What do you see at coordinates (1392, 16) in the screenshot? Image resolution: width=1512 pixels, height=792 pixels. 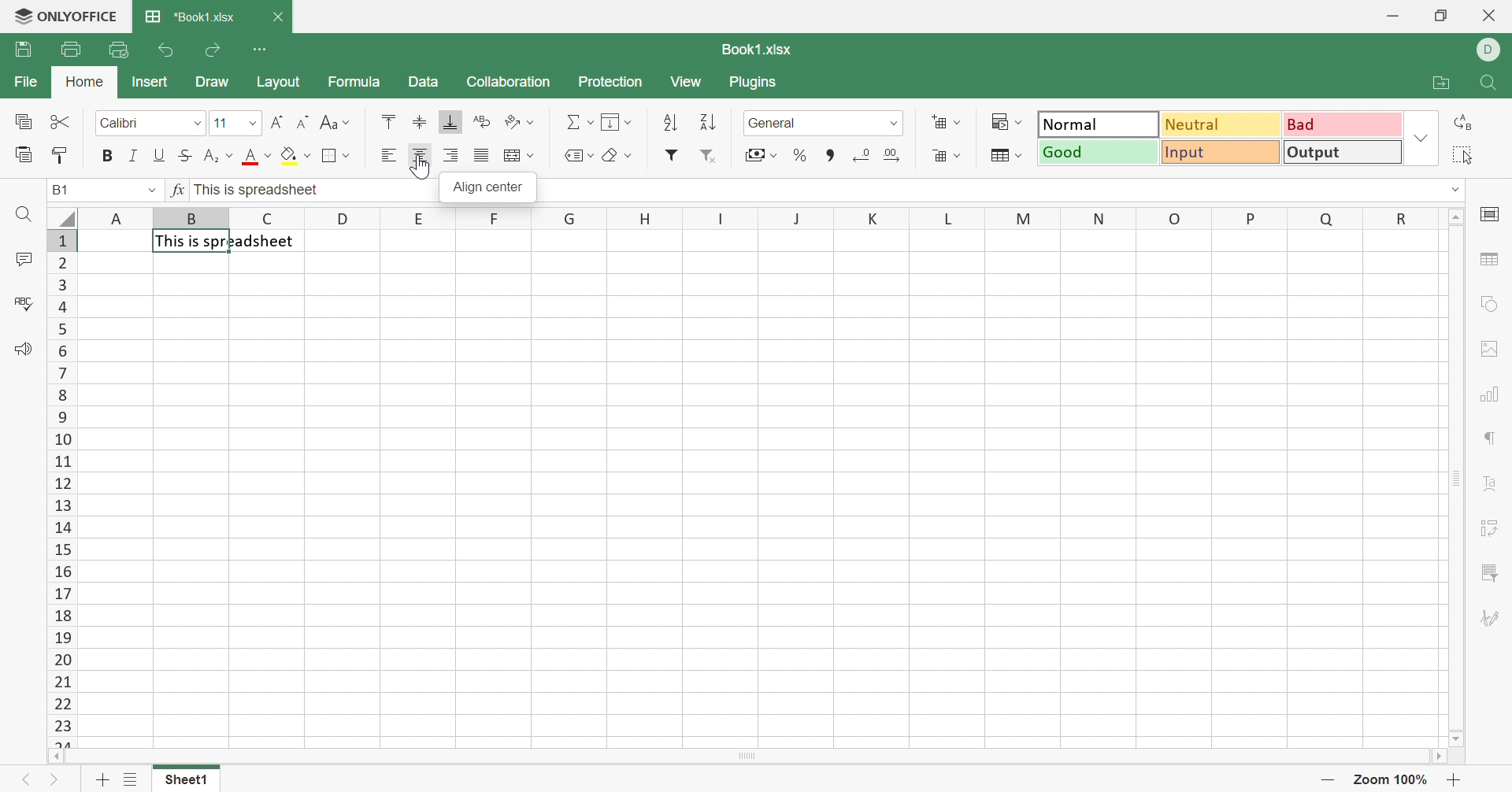 I see `Minimize` at bounding box center [1392, 16].